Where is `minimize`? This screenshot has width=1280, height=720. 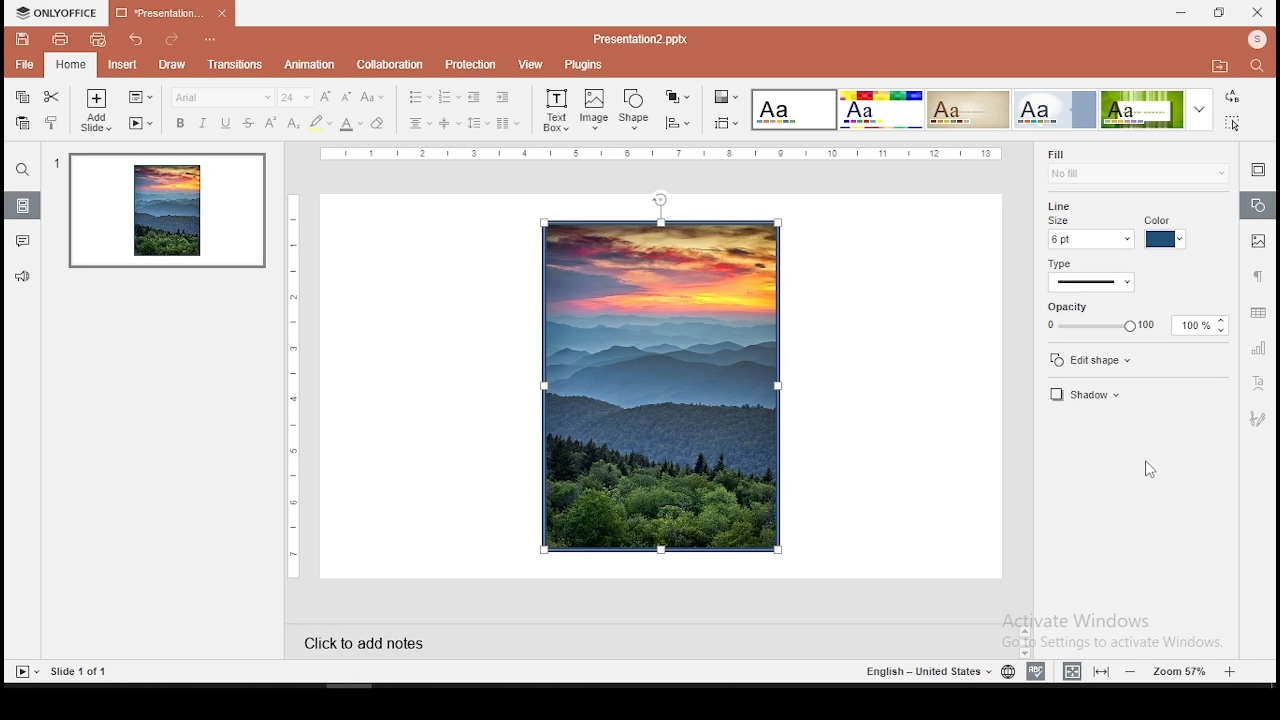
minimize is located at coordinates (1182, 12).